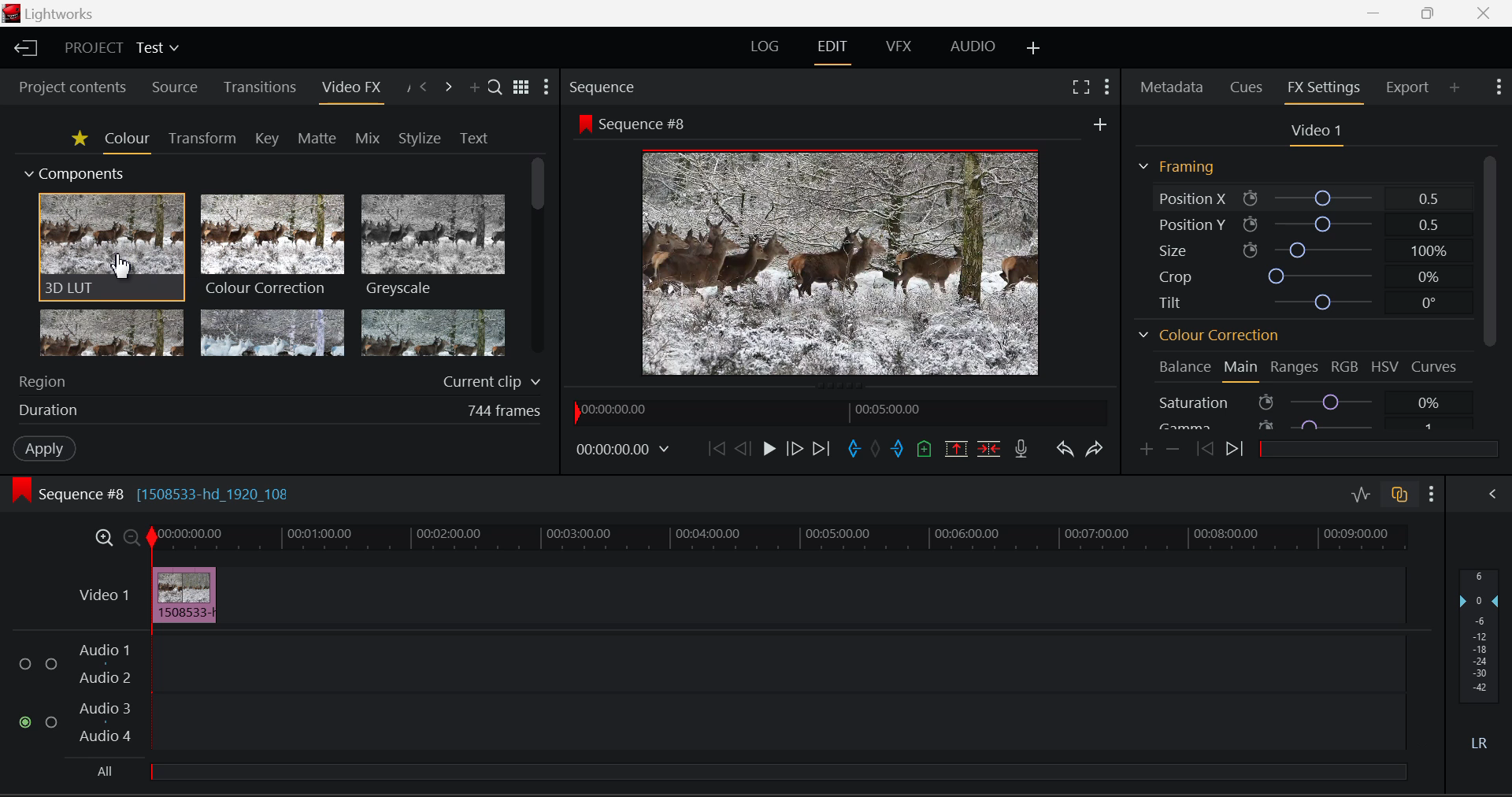 The height and width of the screenshot is (797, 1512). I want to click on Timeline Zoom In, so click(103, 537).